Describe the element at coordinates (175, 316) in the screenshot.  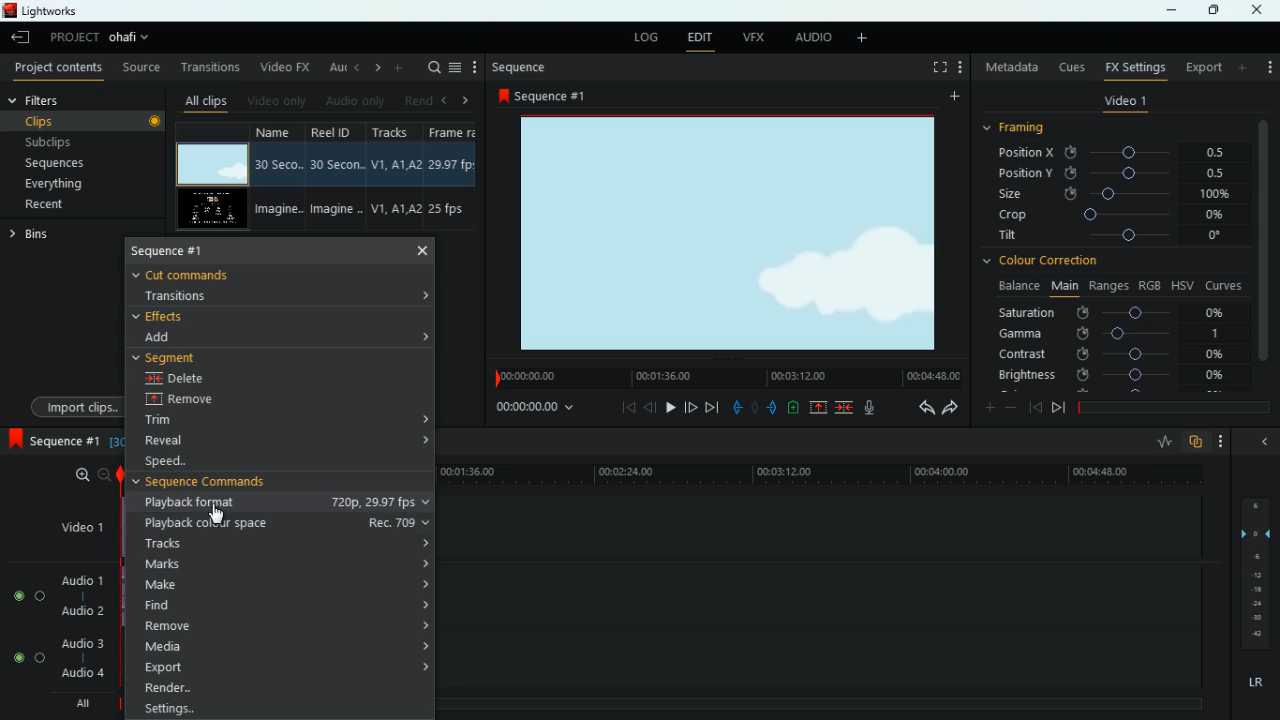
I see `effects` at that location.